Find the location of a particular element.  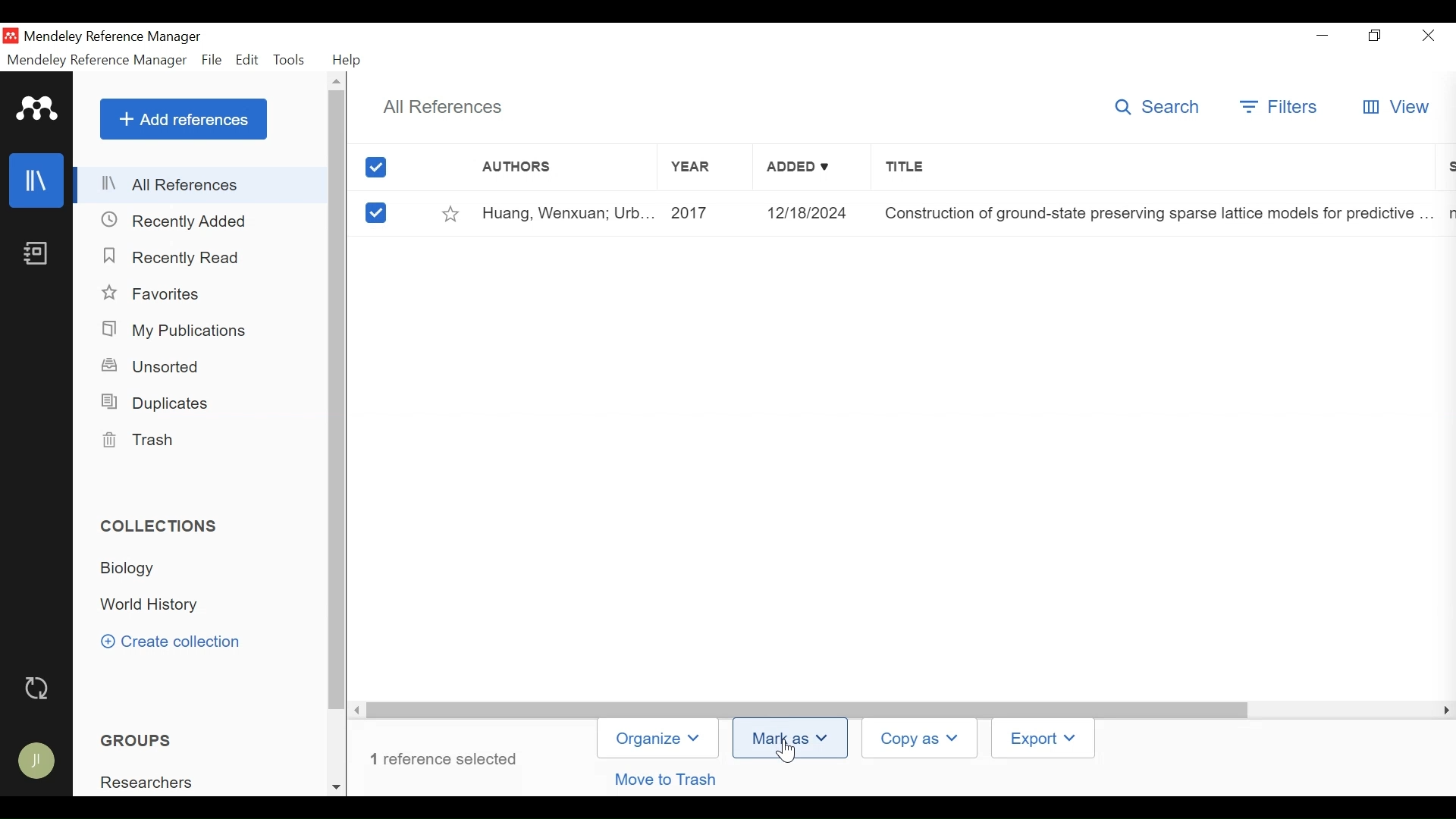

Mendeley Reference Manager is located at coordinates (120, 36).